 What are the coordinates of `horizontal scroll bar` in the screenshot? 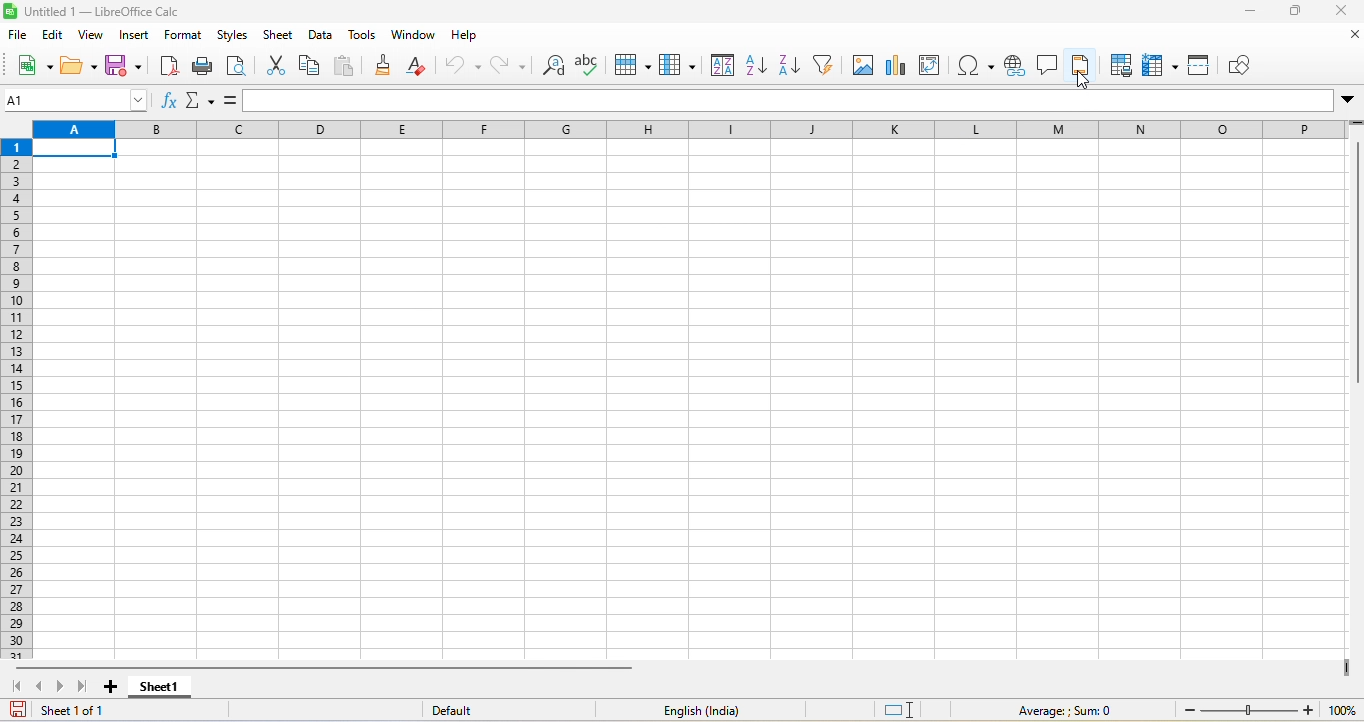 It's located at (324, 667).